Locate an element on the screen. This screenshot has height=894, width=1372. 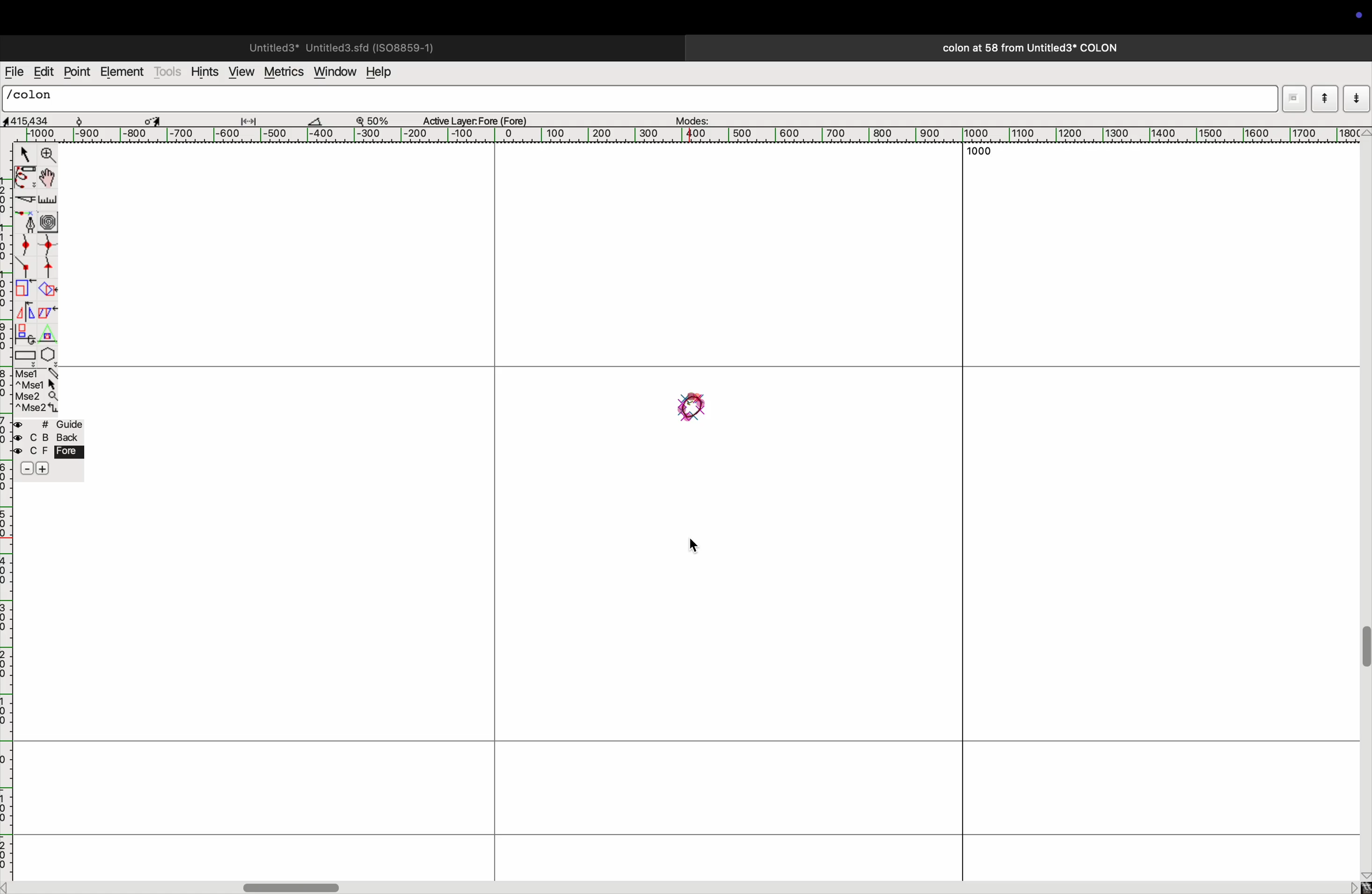
mode up is located at coordinates (1324, 99).